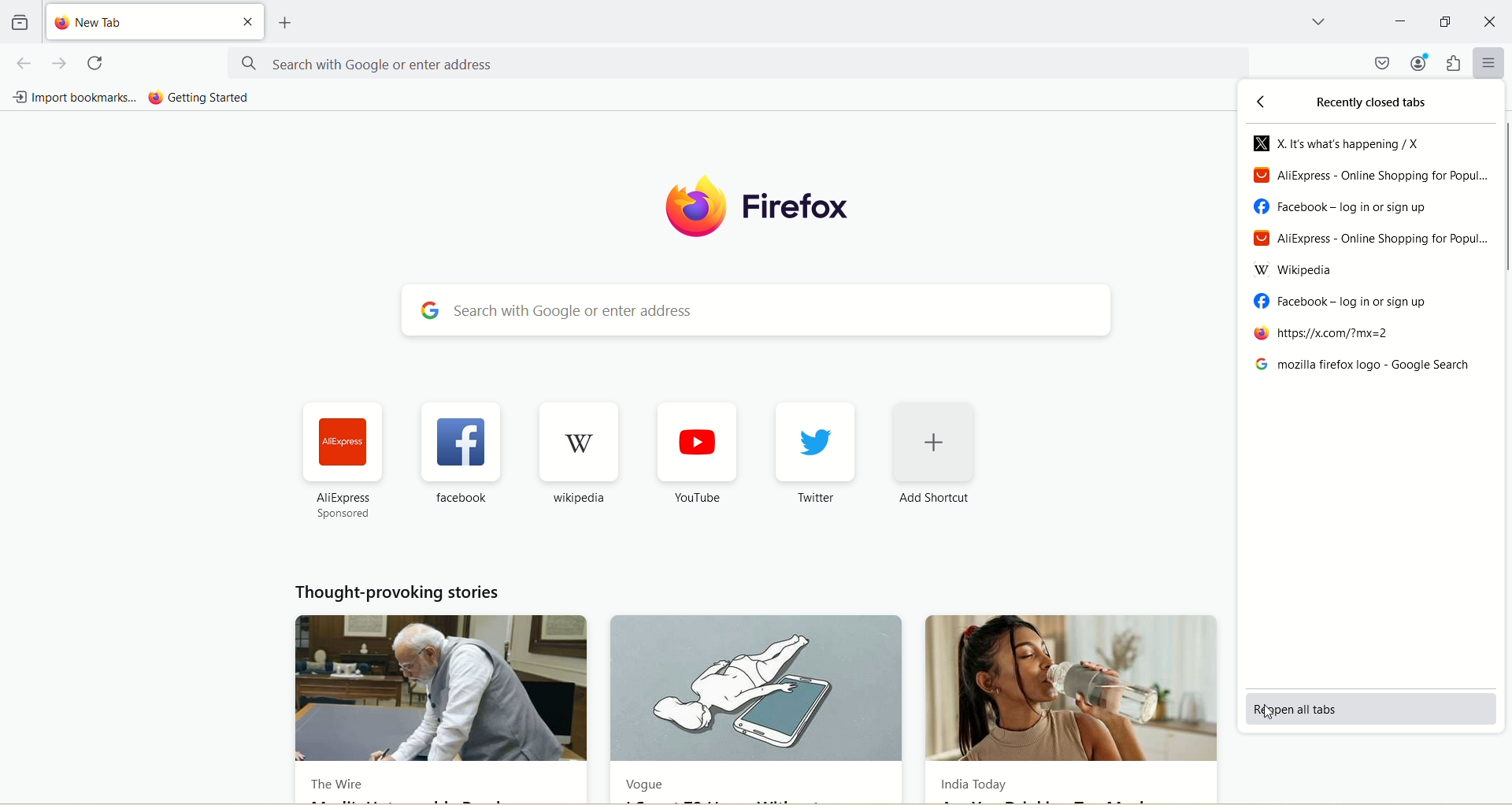 Image resolution: width=1512 pixels, height=805 pixels. What do you see at coordinates (579, 443) in the screenshot?
I see `wikipedia` at bounding box center [579, 443].